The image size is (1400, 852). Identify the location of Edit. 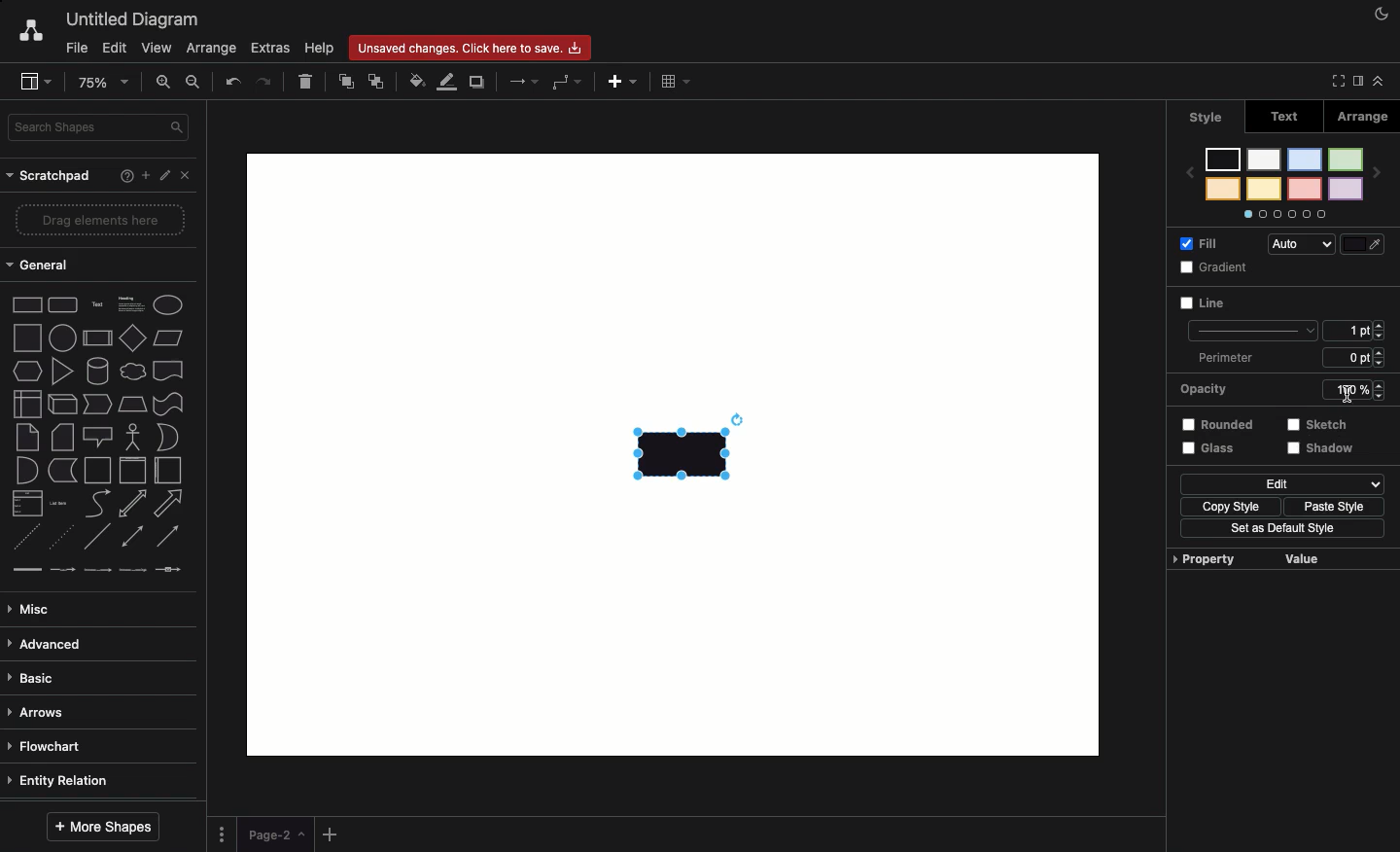
(162, 175).